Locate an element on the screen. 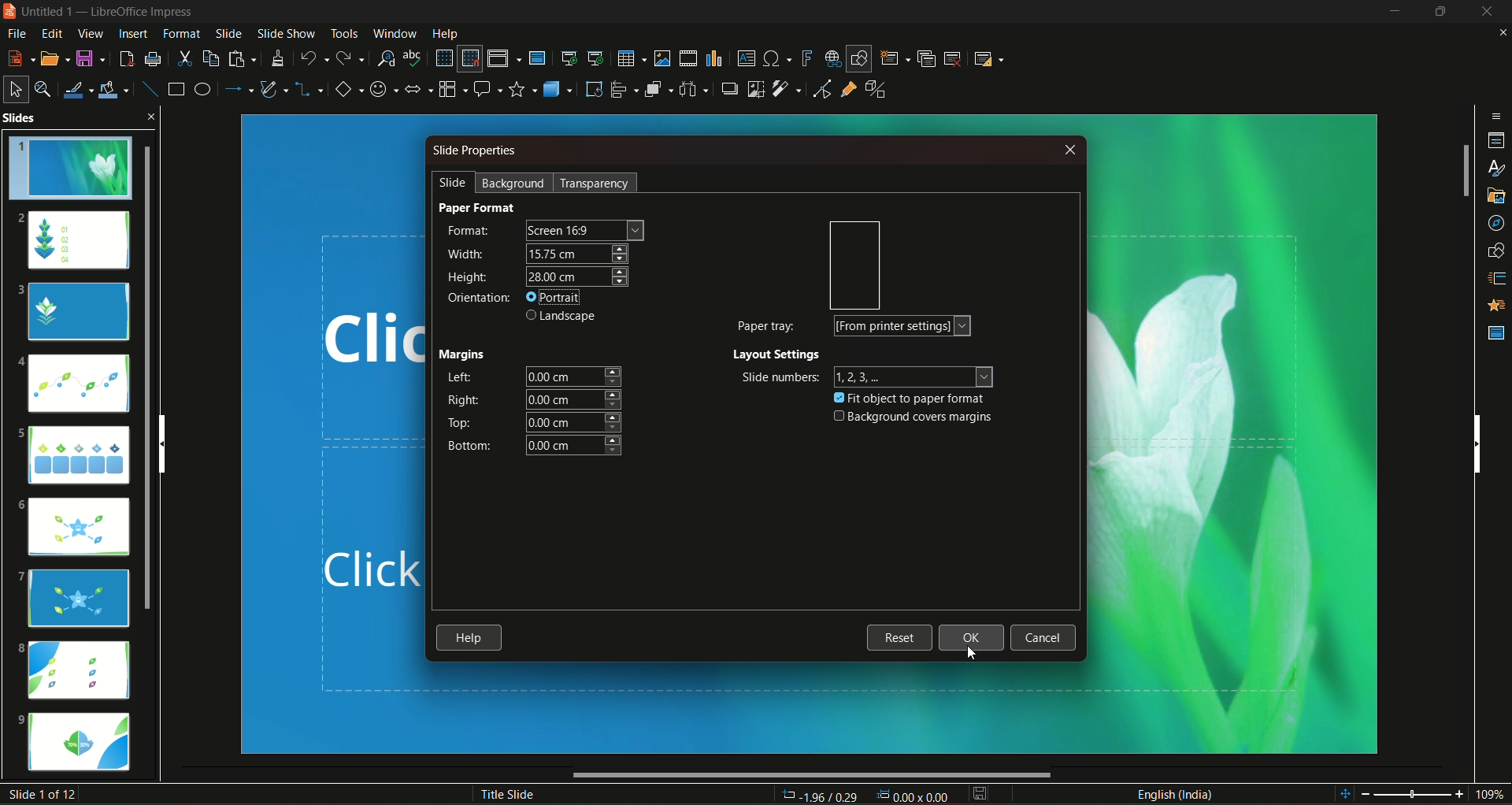  rotate is located at coordinates (592, 88).